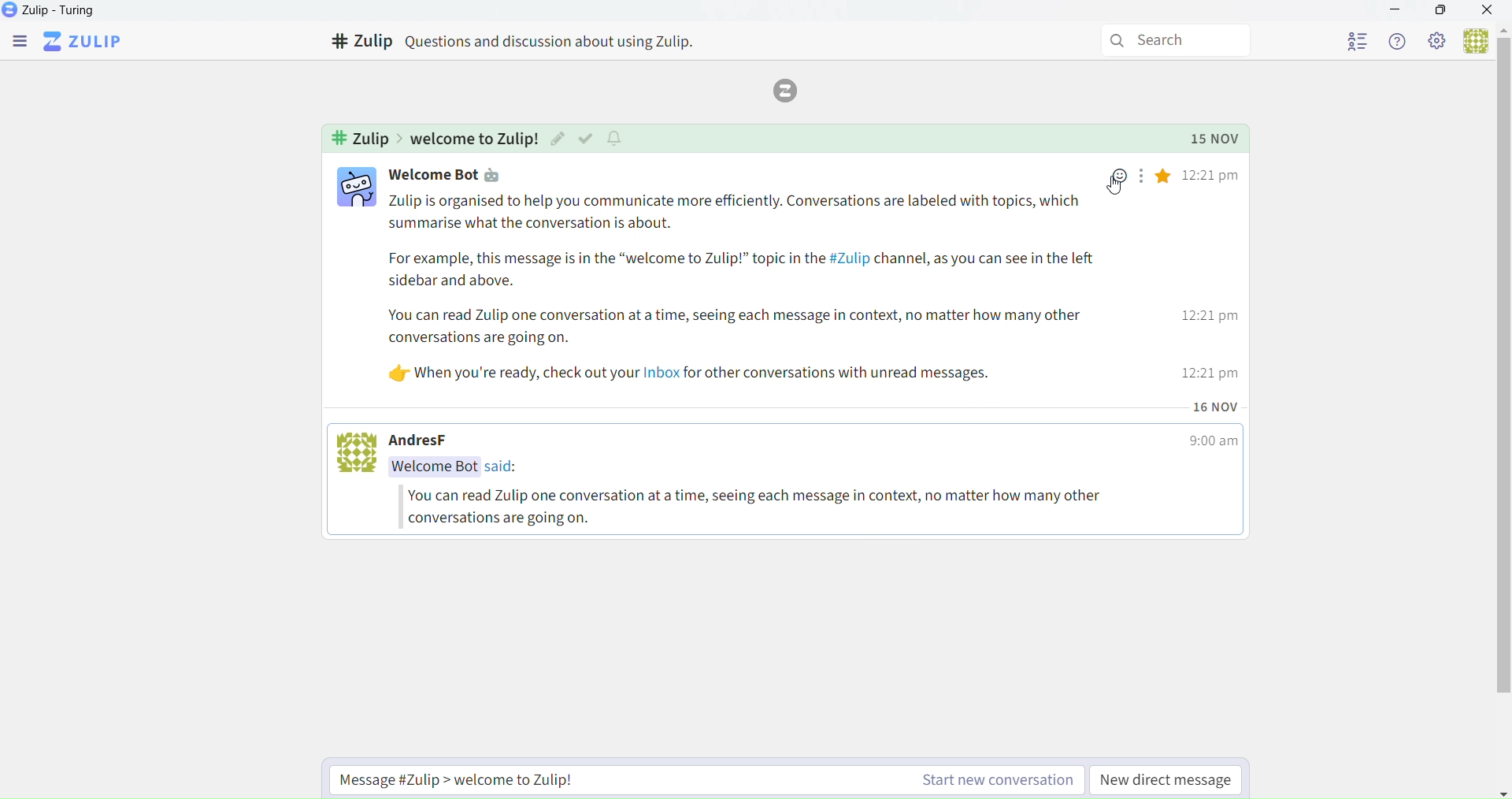 This screenshot has width=1512, height=799. What do you see at coordinates (1399, 40) in the screenshot?
I see `Help` at bounding box center [1399, 40].